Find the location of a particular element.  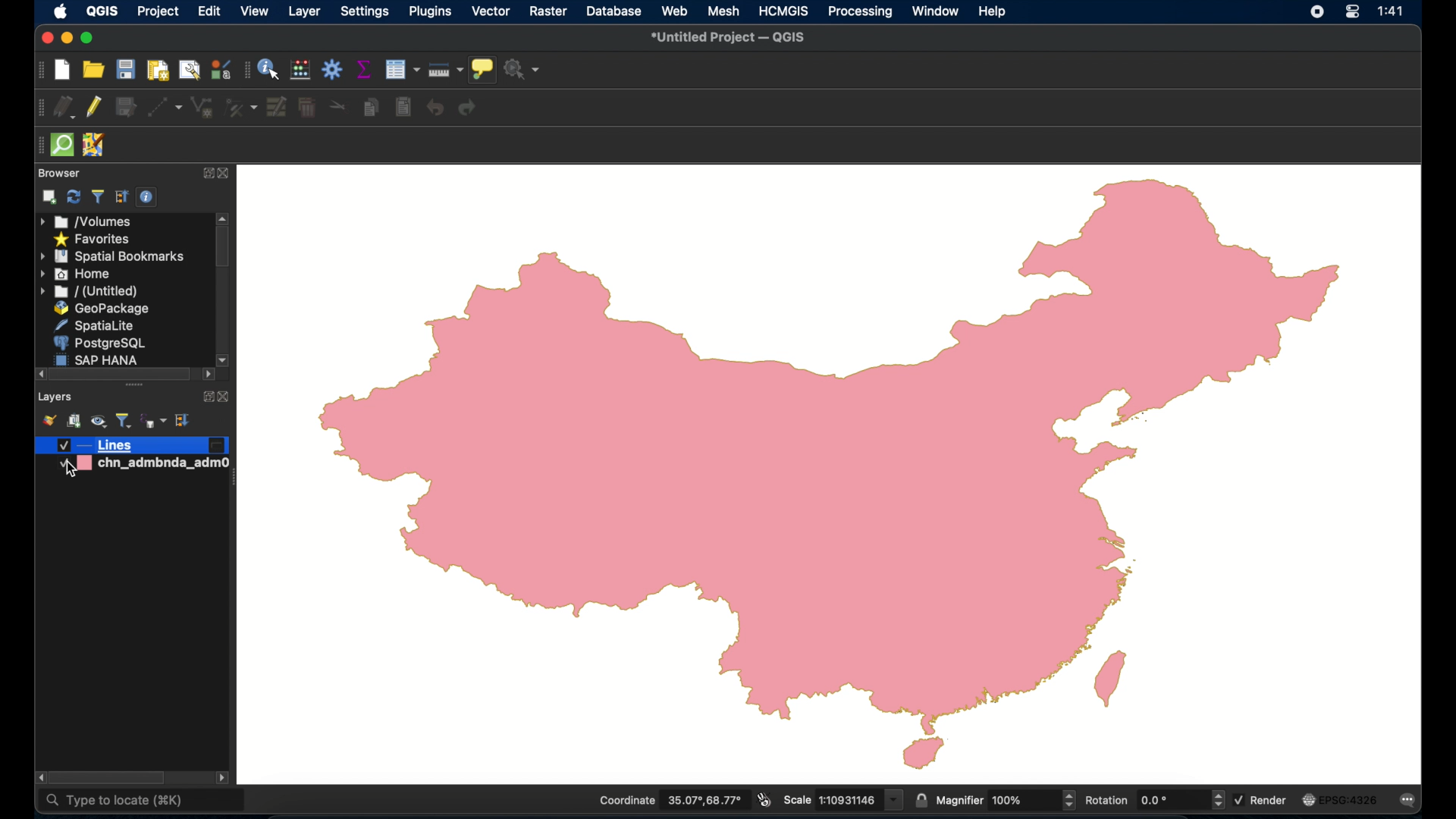

database is located at coordinates (613, 11).